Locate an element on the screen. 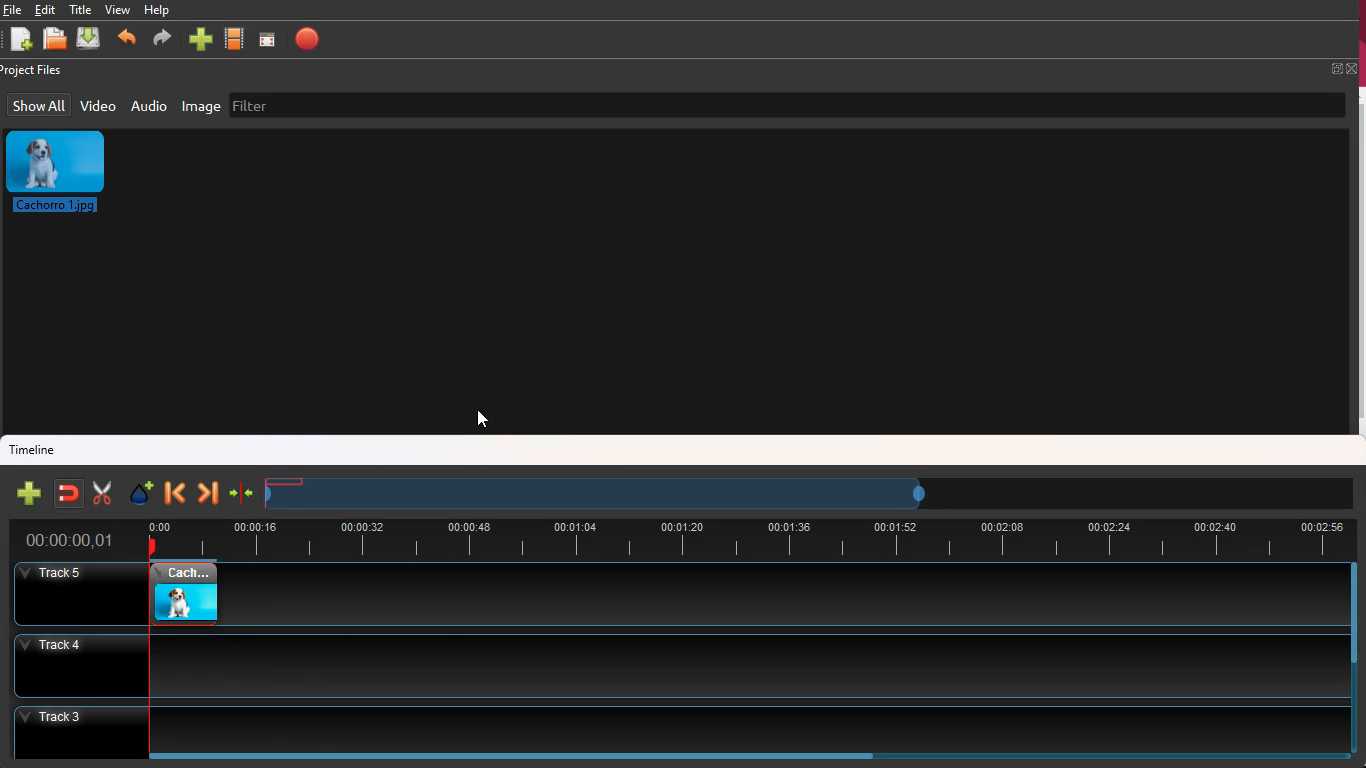 The width and height of the screenshot is (1366, 768). new is located at coordinates (20, 41).